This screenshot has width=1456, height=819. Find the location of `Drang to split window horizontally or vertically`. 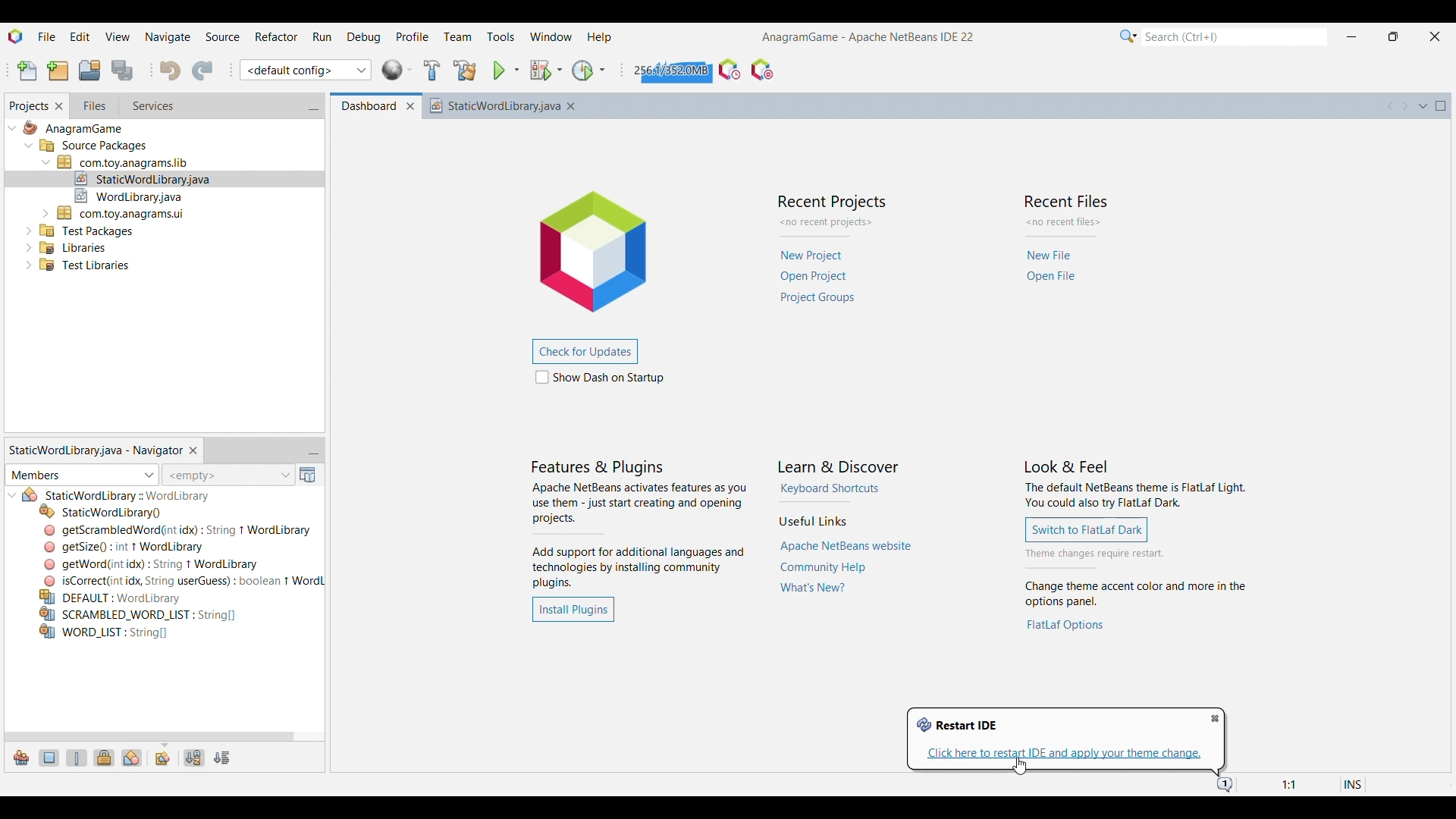

Drang to split window horizontally or vertically is located at coordinates (1442, 130).